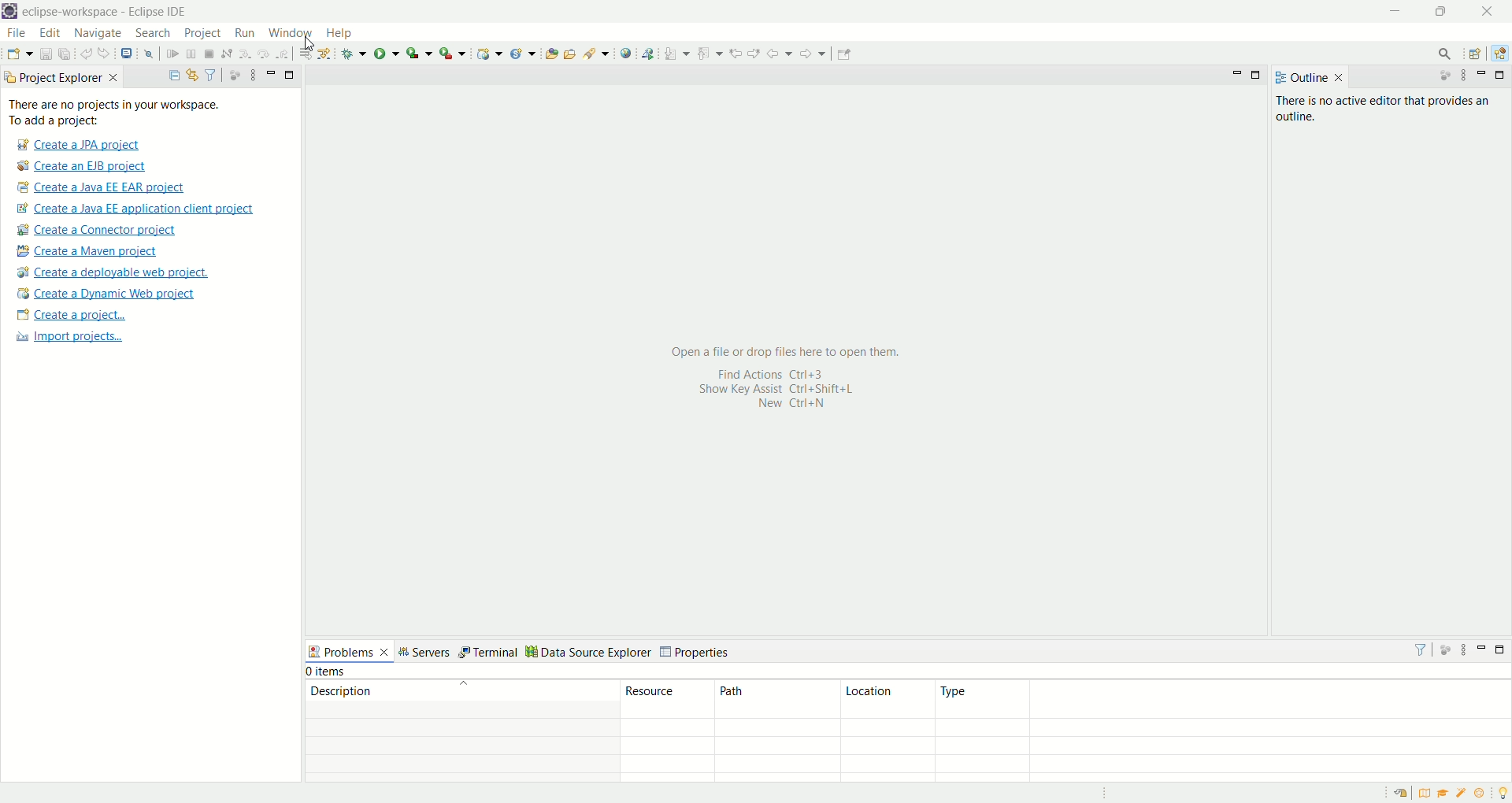 The width and height of the screenshot is (1512, 803). Describe the element at coordinates (1501, 76) in the screenshot. I see `maximize` at that location.